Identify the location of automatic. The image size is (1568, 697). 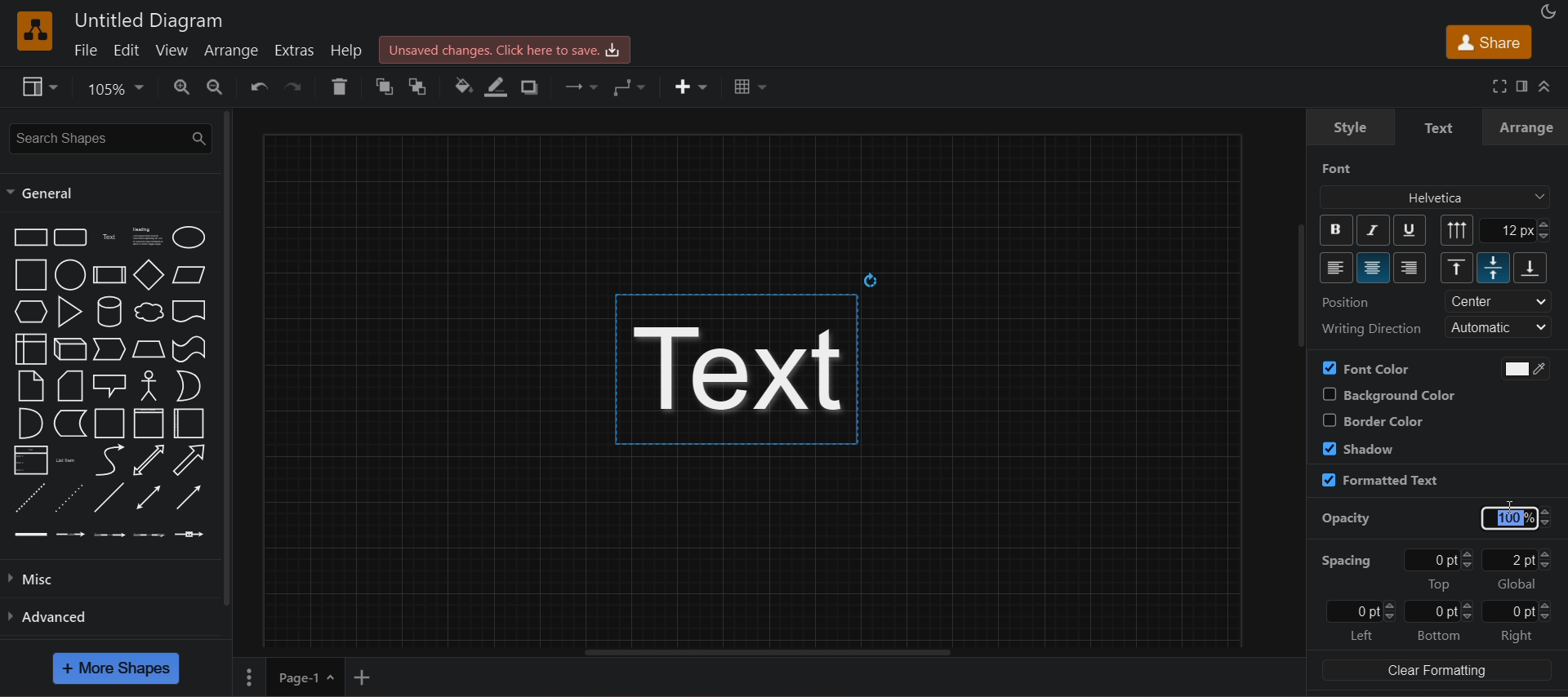
(1501, 327).